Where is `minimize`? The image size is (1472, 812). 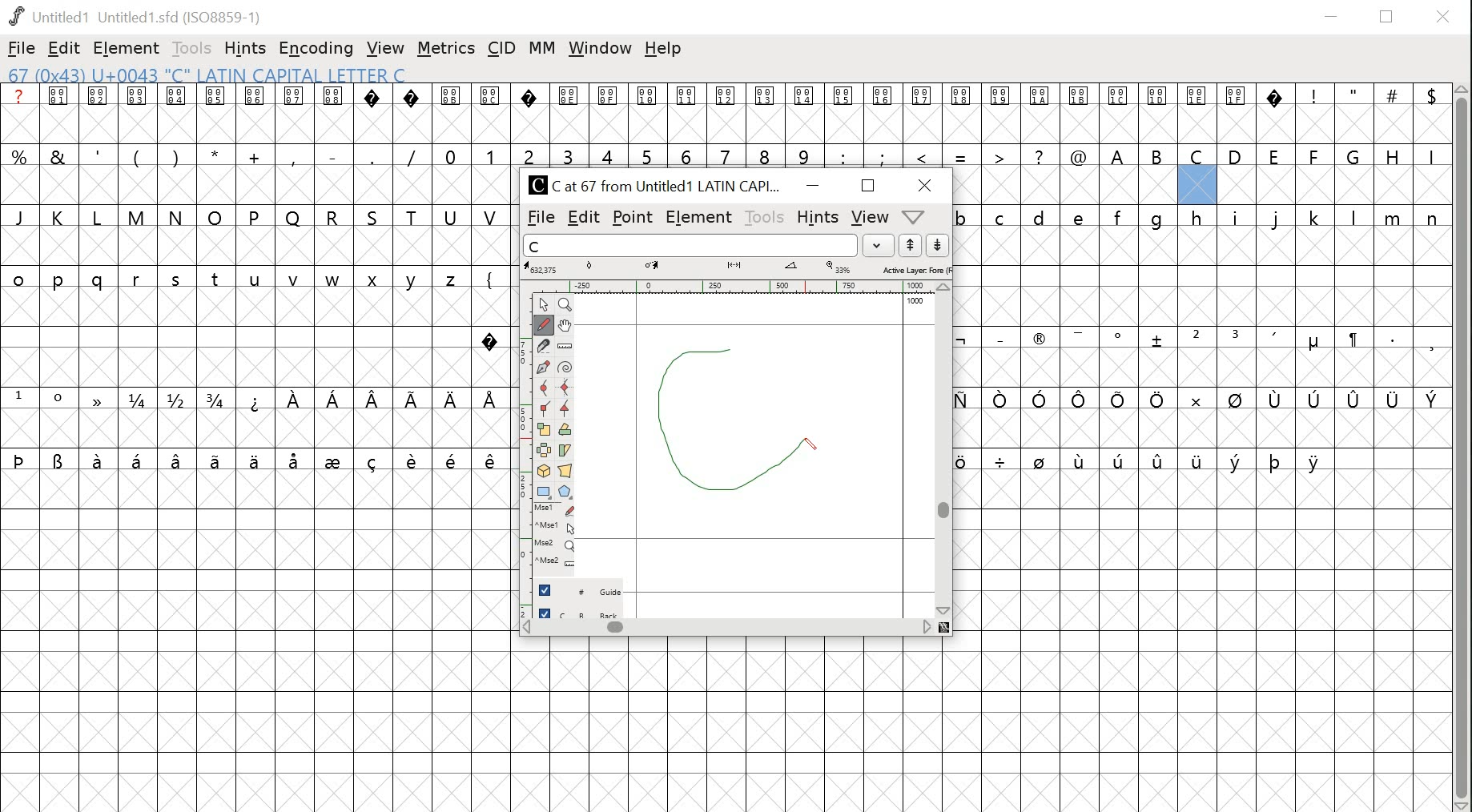
minimize is located at coordinates (813, 186).